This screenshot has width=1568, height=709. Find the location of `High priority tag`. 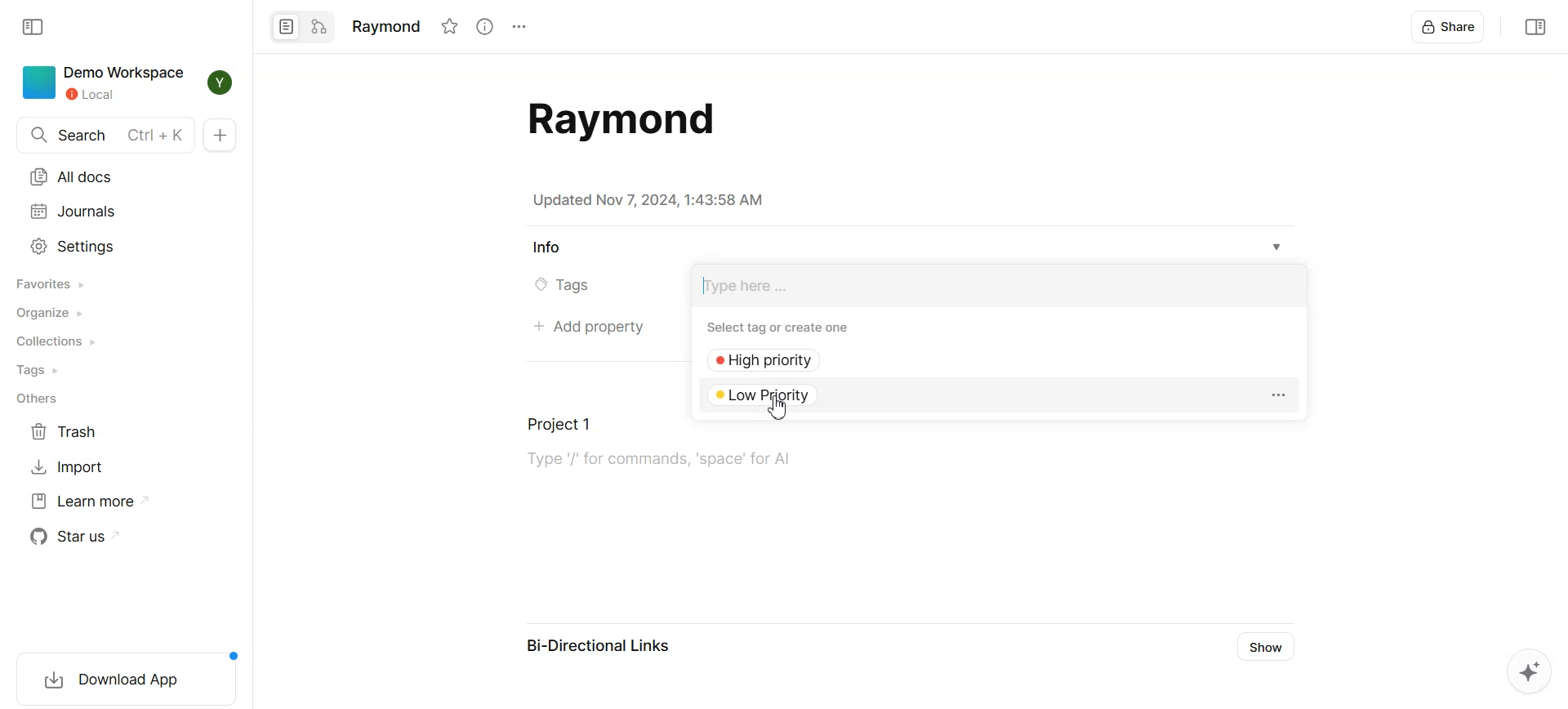

High priority tag is located at coordinates (773, 361).